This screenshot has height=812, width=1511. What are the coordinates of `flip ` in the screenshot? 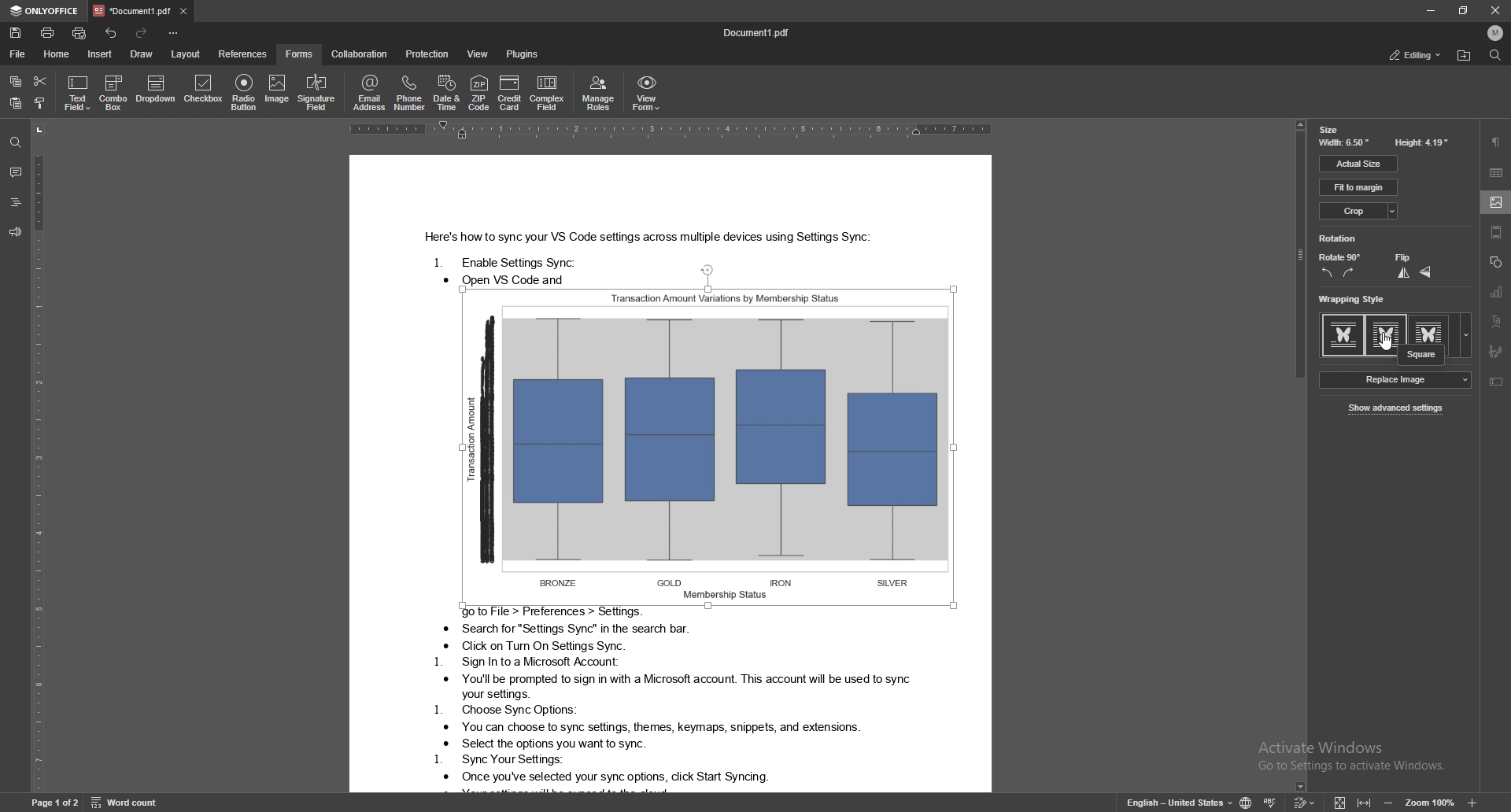 It's located at (1402, 272).